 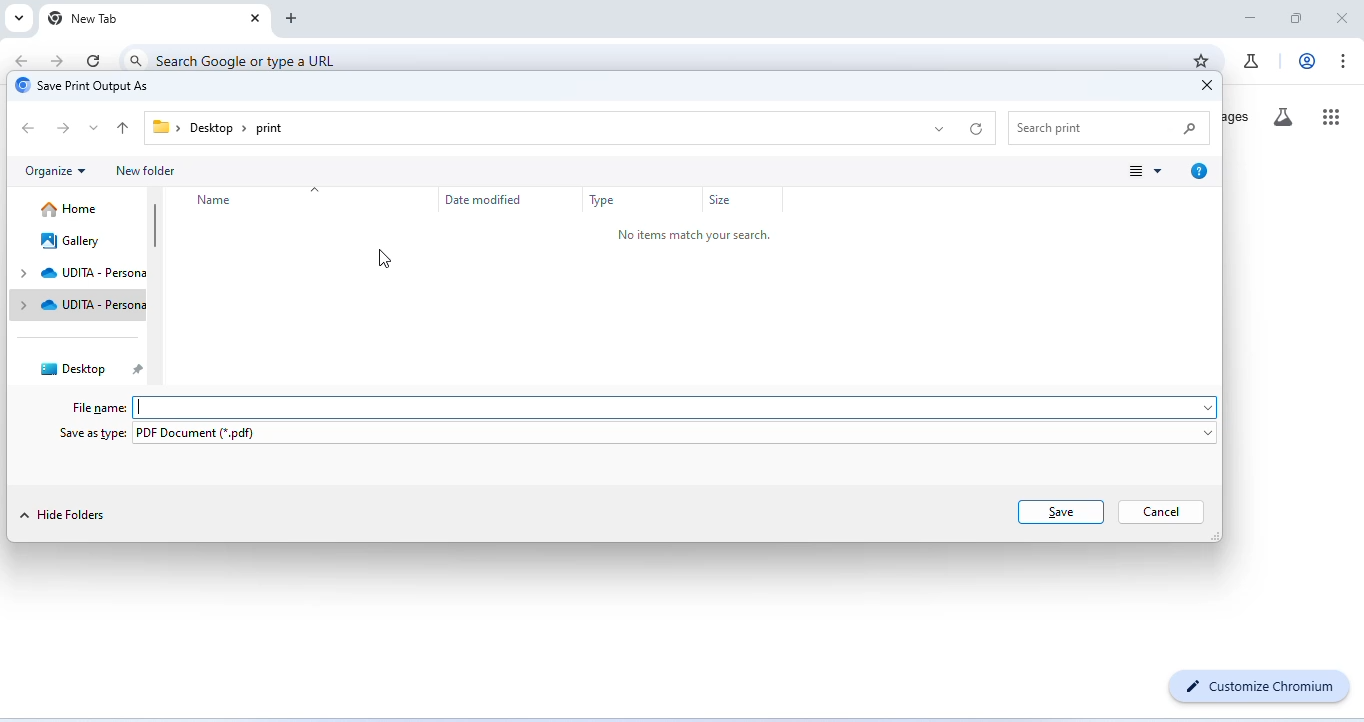 I want to click on maximize, so click(x=1298, y=18).